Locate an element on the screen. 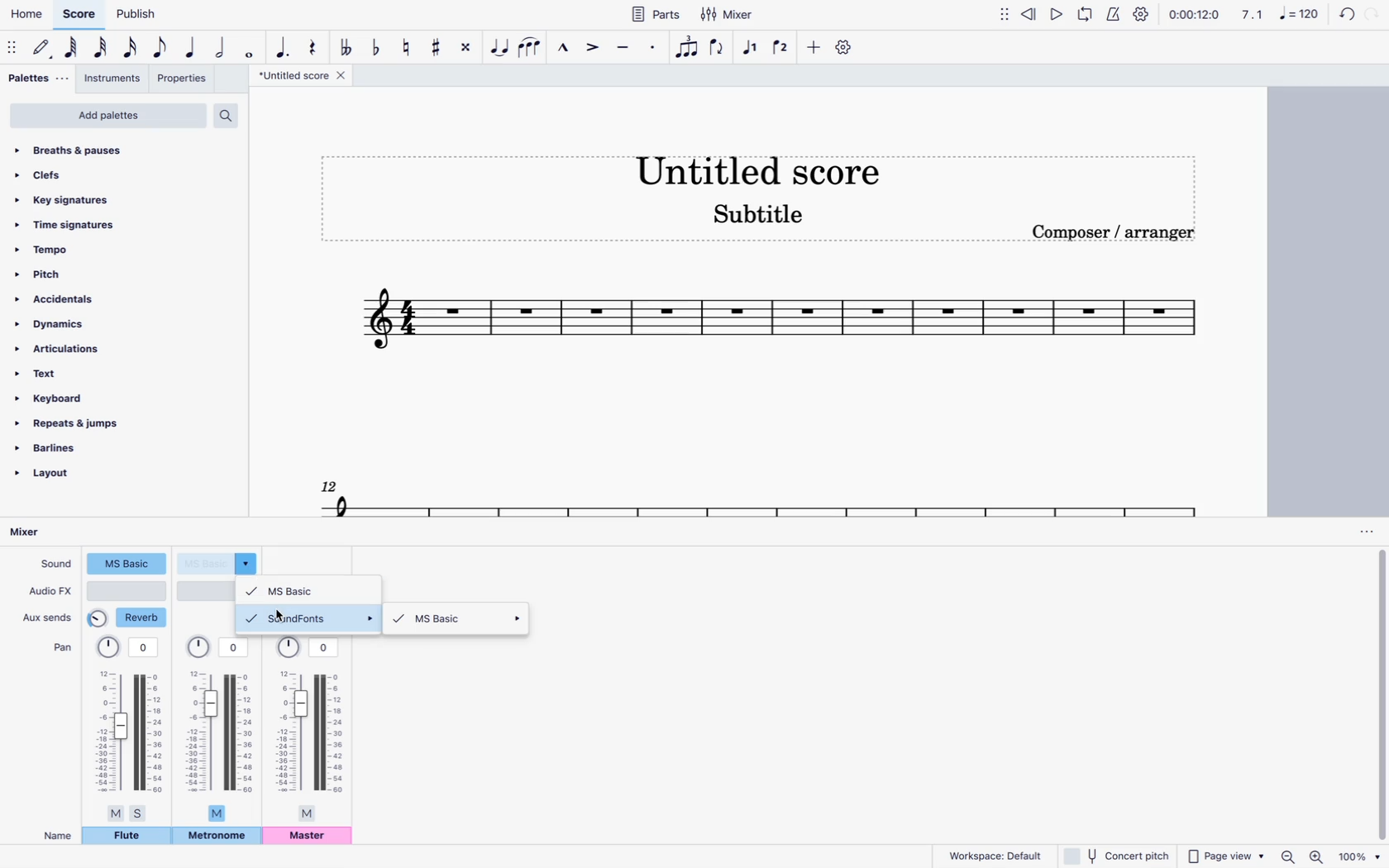 Image resolution: width=1389 pixels, height=868 pixels. toggle natural is located at coordinates (408, 46).